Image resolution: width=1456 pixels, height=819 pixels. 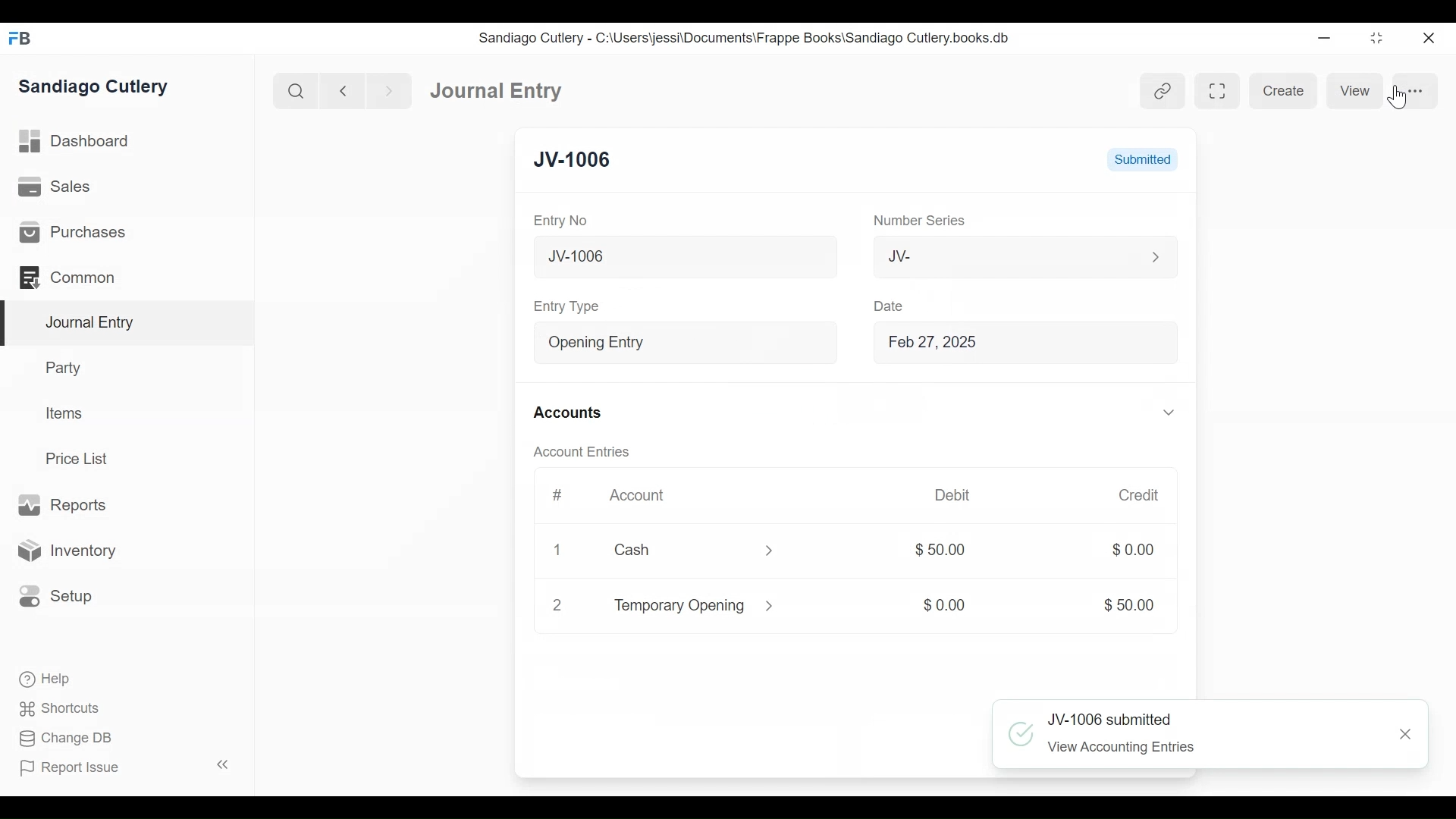 What do you see at coordinates (946, 494) in the screenshot?
I see `Debit` at bounding box center [946, 494].